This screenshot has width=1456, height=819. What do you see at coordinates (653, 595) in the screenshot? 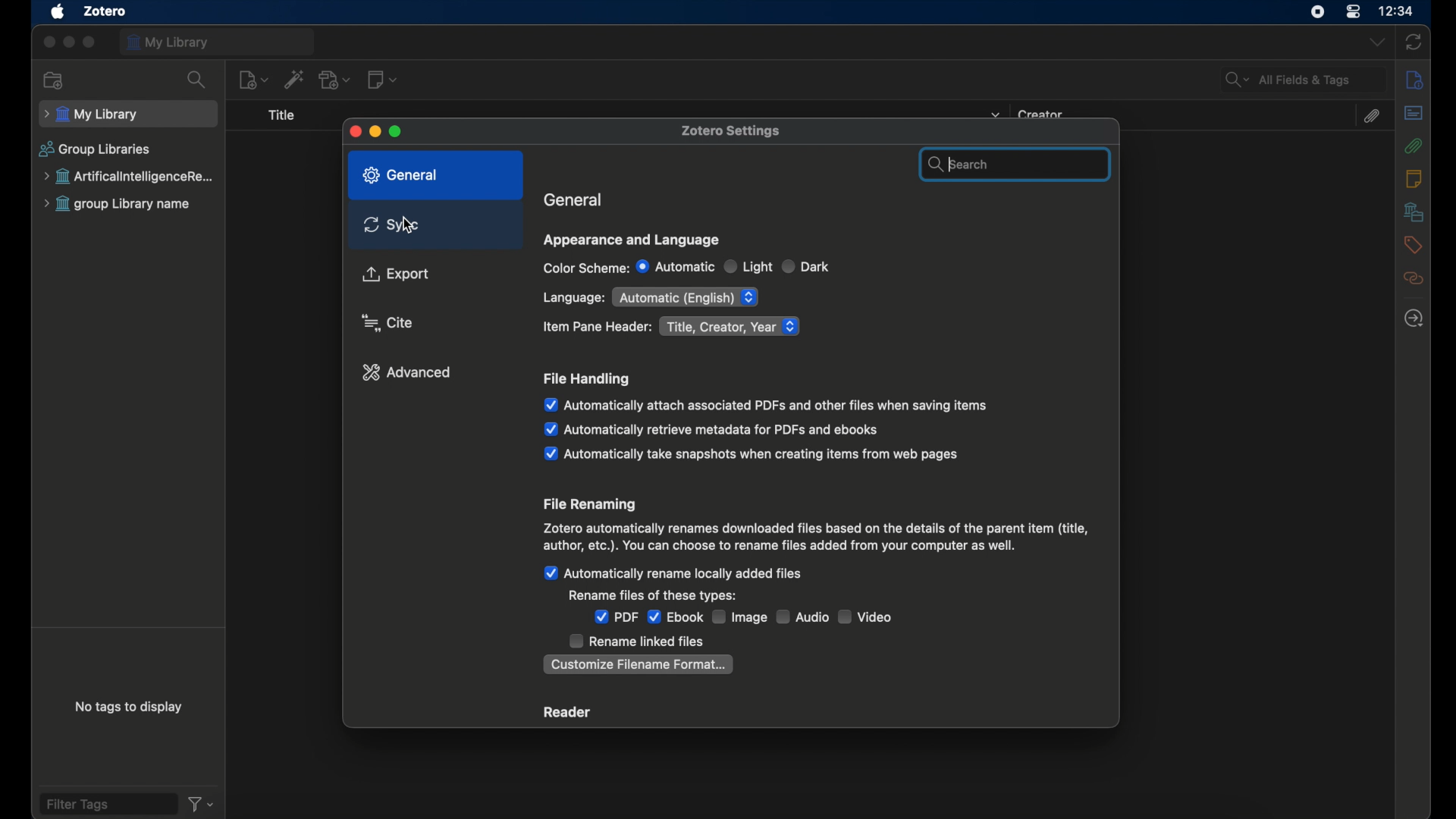
I see `rename files of these types:` at bounding box center [653, 595].